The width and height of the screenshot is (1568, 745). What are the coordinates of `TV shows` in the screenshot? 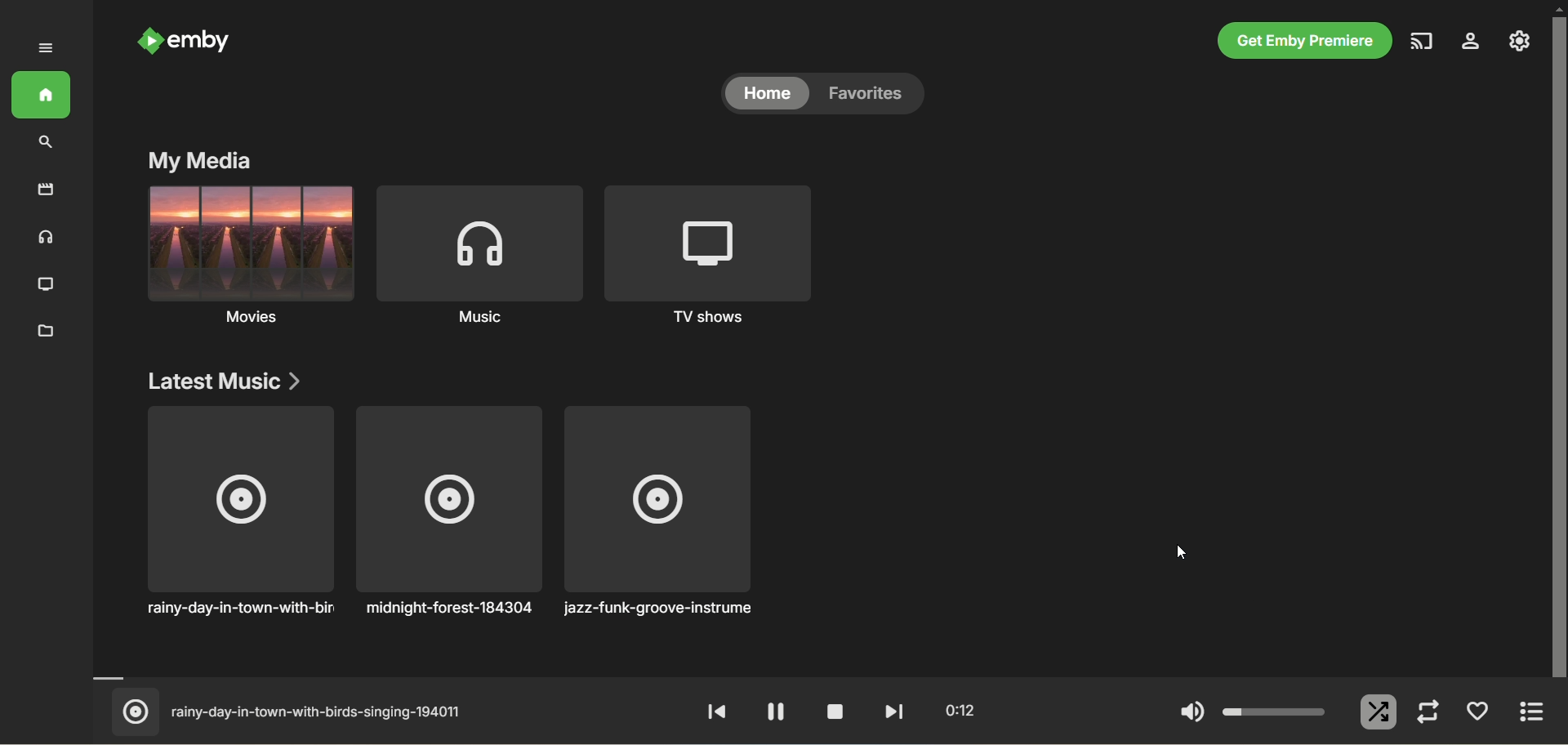 It's located at (705, 253).